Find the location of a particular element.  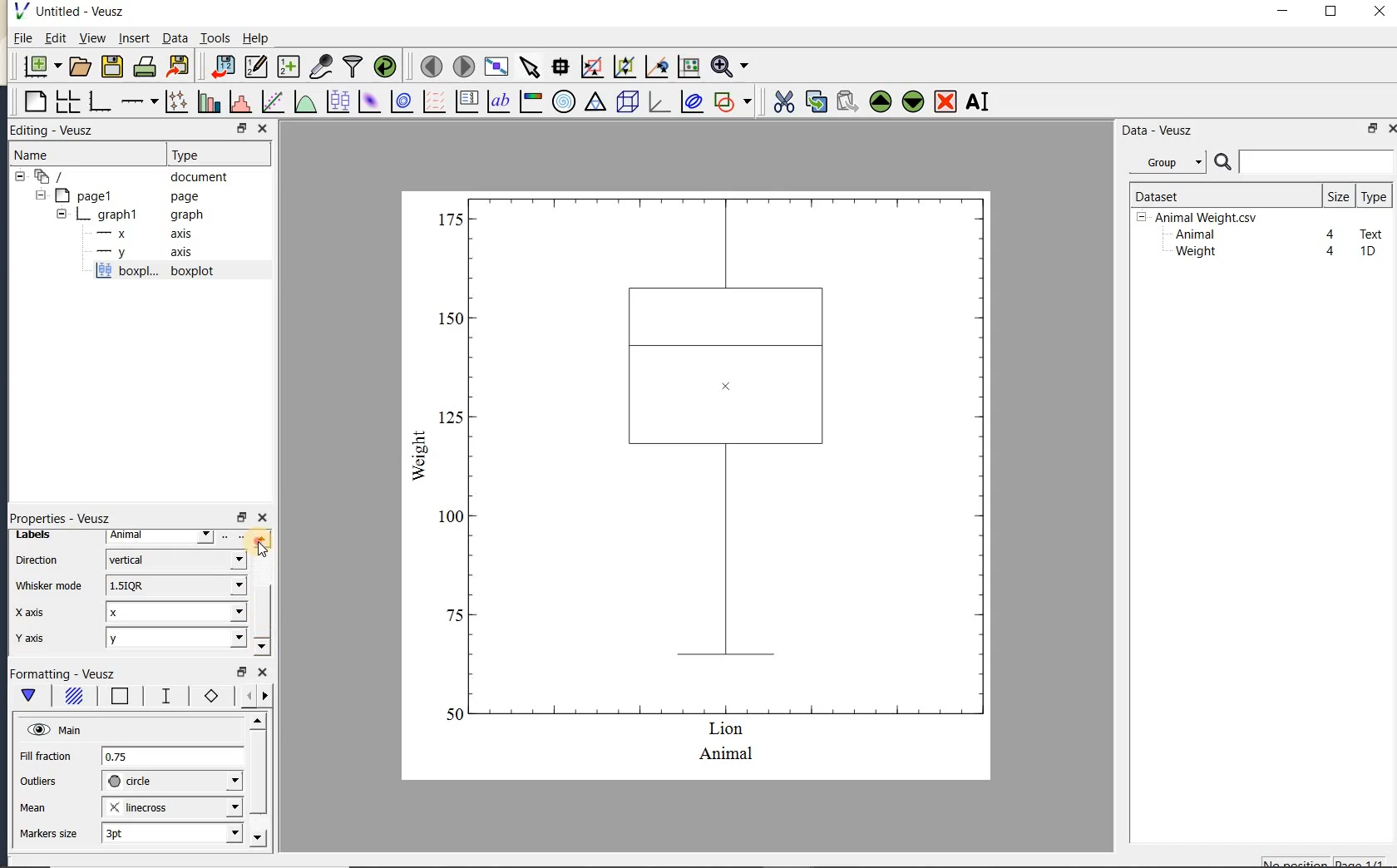

Y axis is located at coordinates (32, 640).